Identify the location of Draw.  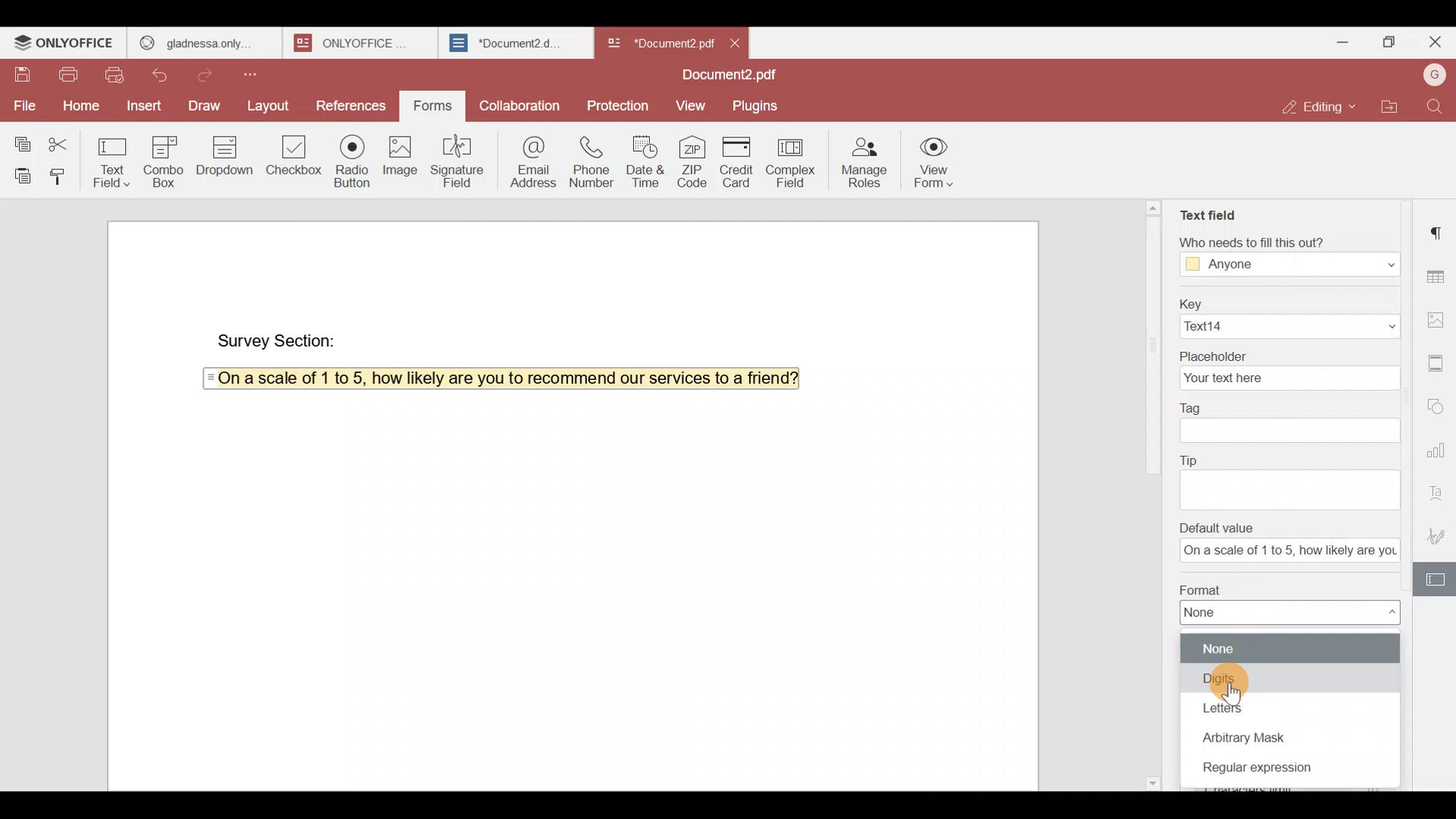
(204, 105).